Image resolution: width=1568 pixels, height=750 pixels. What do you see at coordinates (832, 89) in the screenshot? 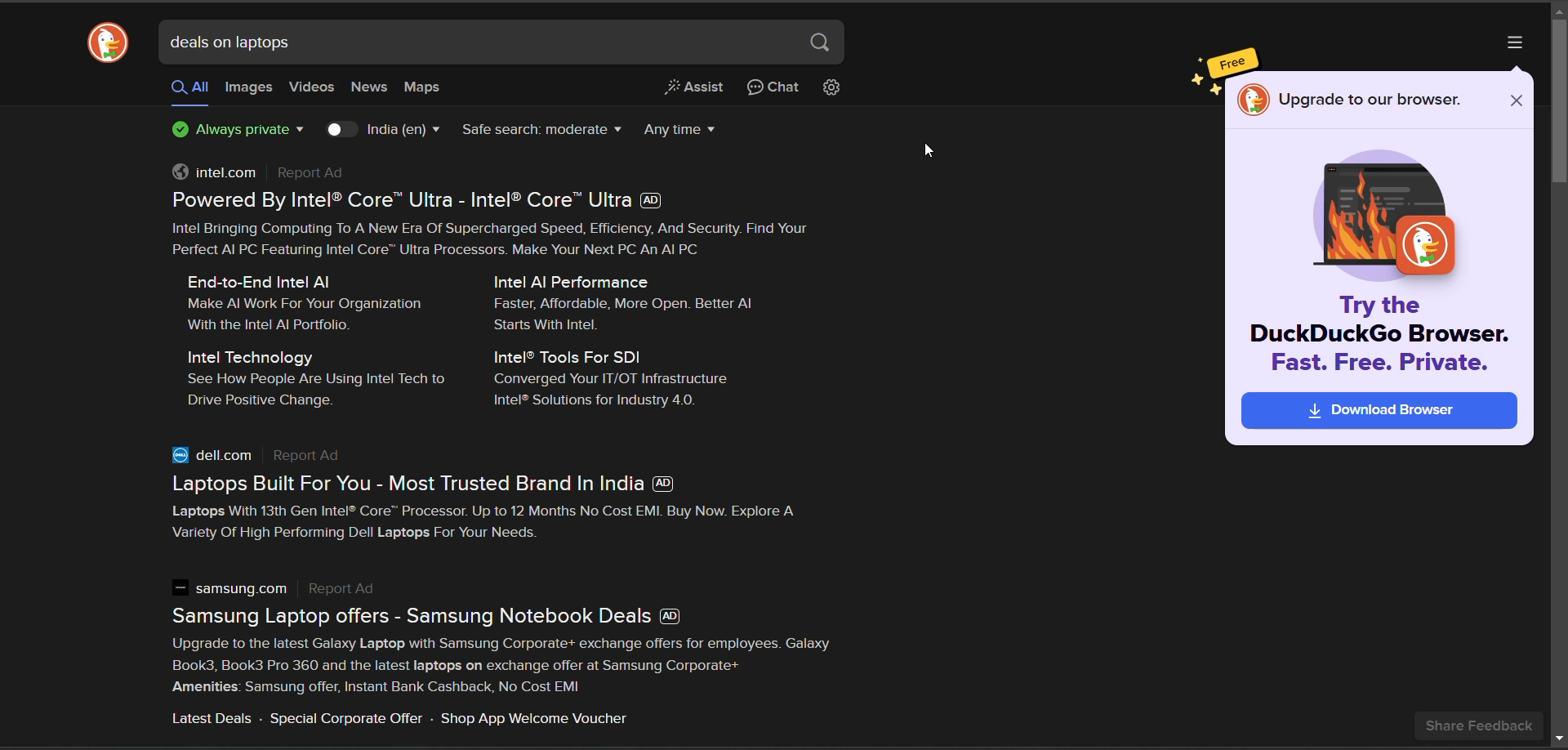
I see `change search settings` at bounding box center [832, 89].